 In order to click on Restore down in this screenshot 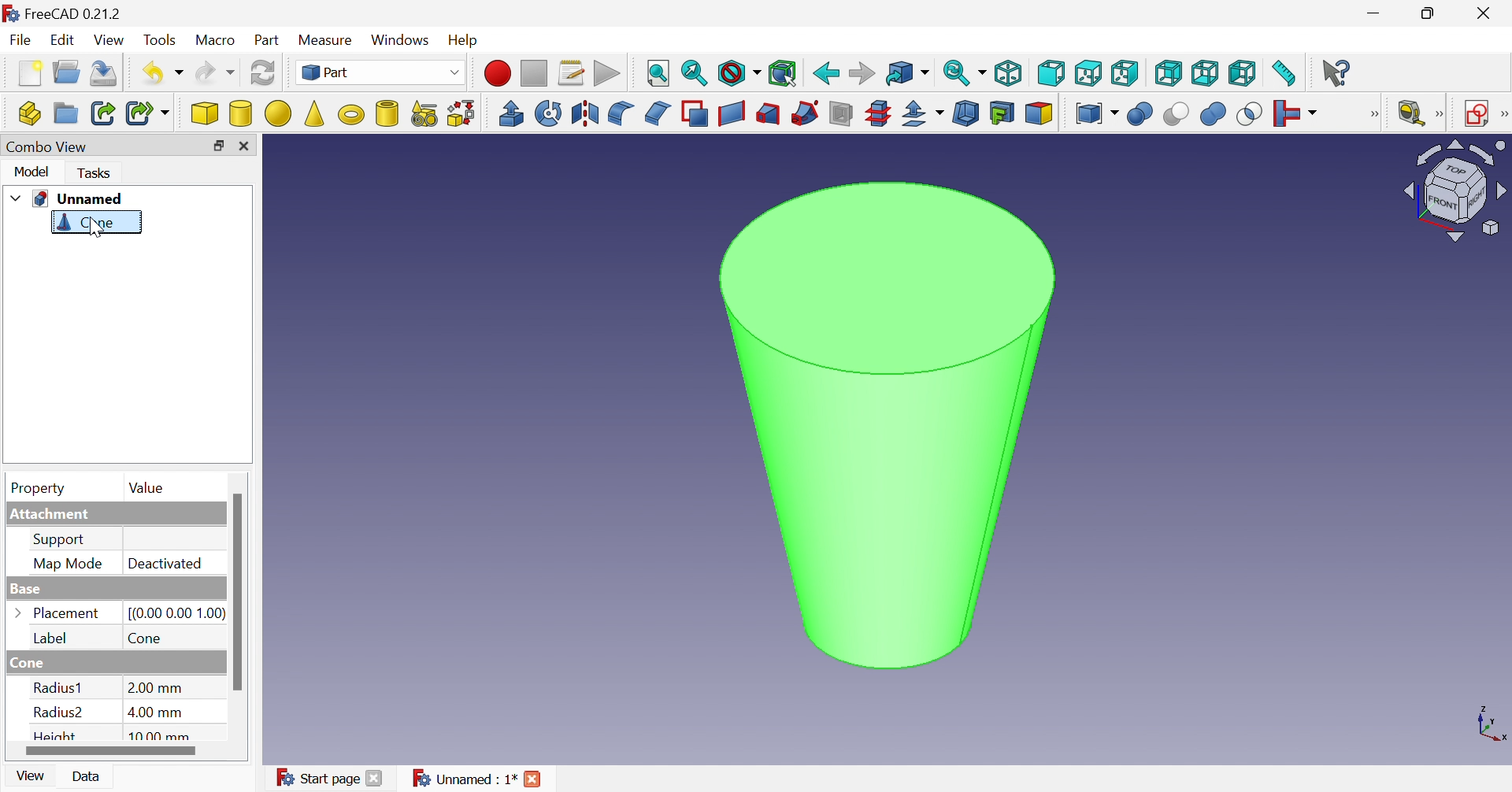, I will do `click(1429, 15)`.